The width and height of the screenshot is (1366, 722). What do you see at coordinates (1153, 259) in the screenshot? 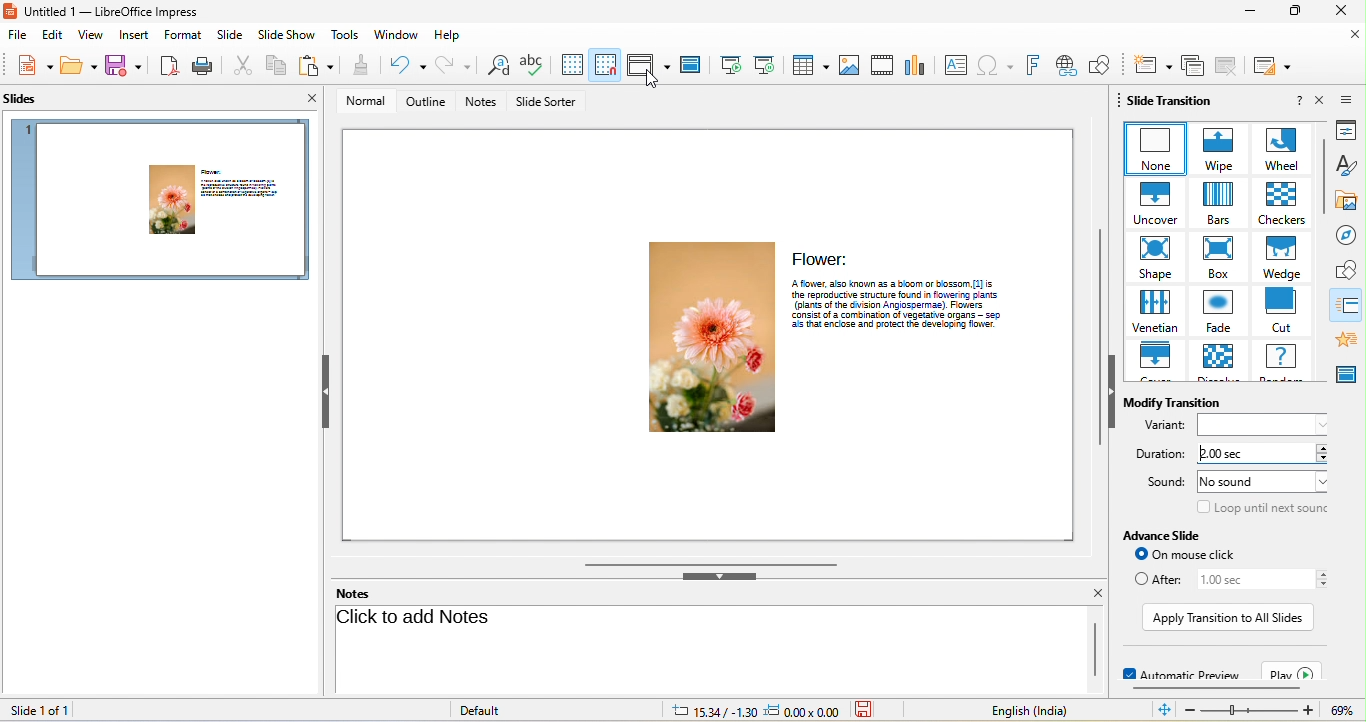
I see `shape` at bounding box center [1153, 259].